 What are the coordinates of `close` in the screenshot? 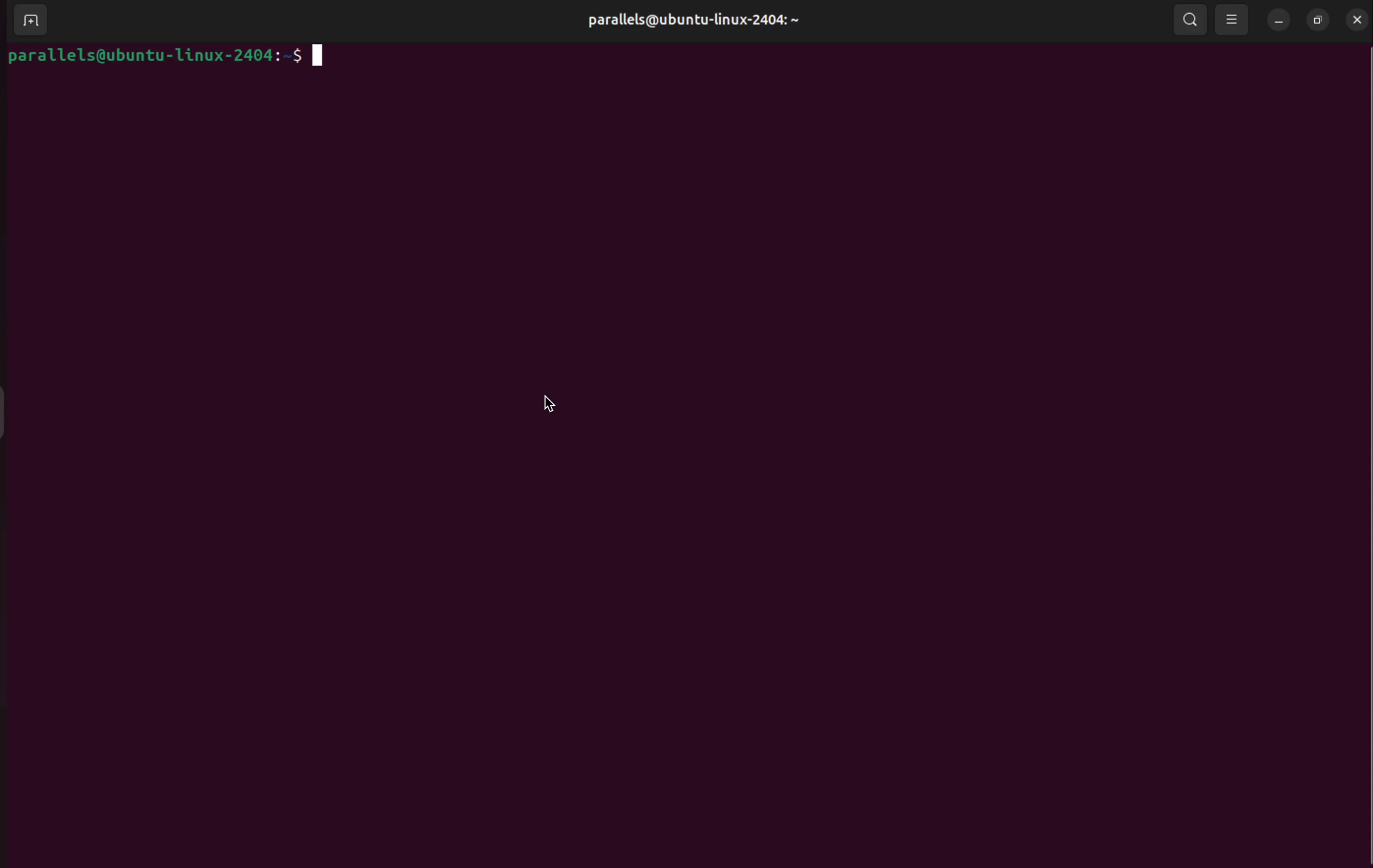 It's located at (1358, 19).